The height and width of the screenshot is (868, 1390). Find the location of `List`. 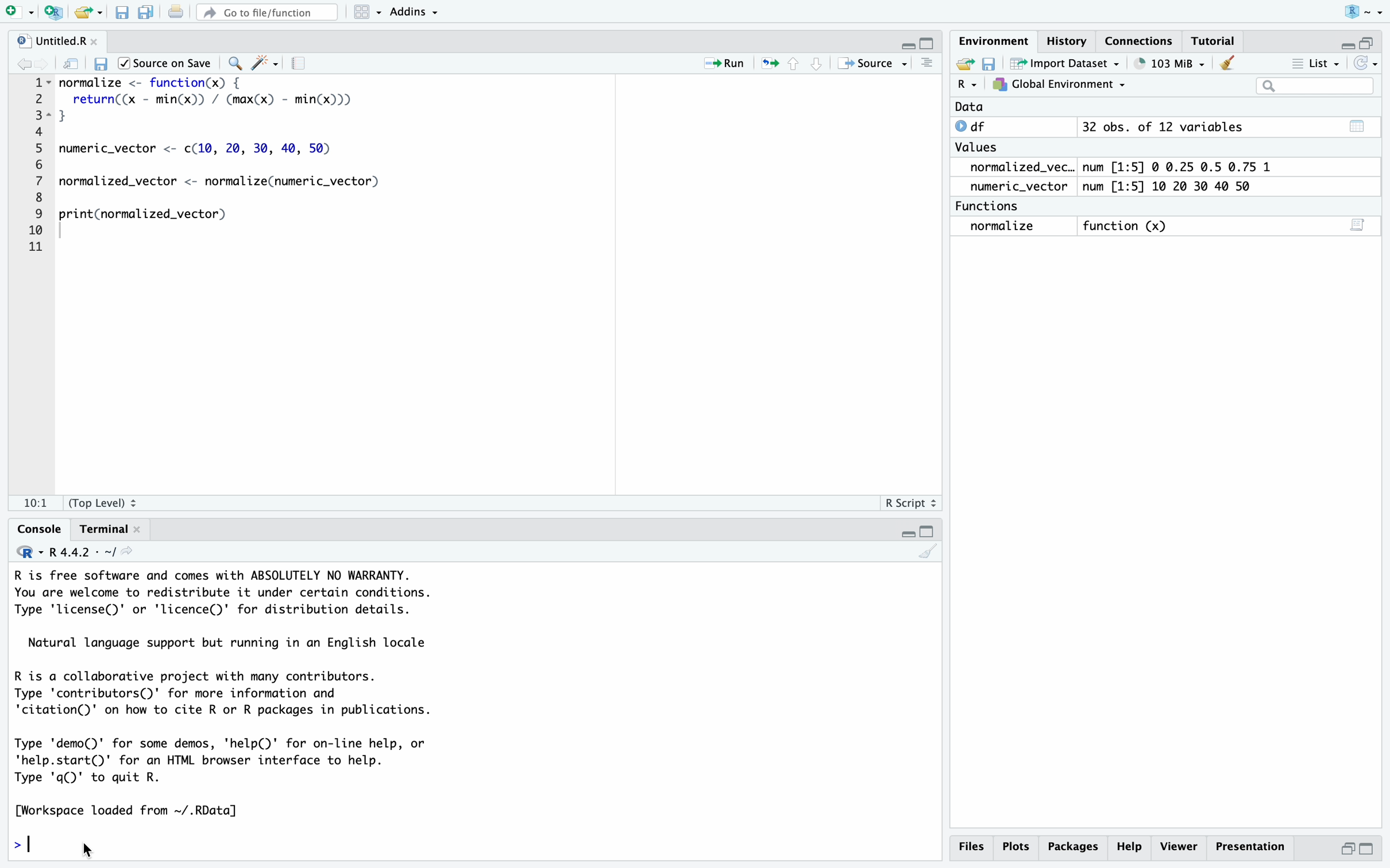

List is located at coordinates (1317, 63).